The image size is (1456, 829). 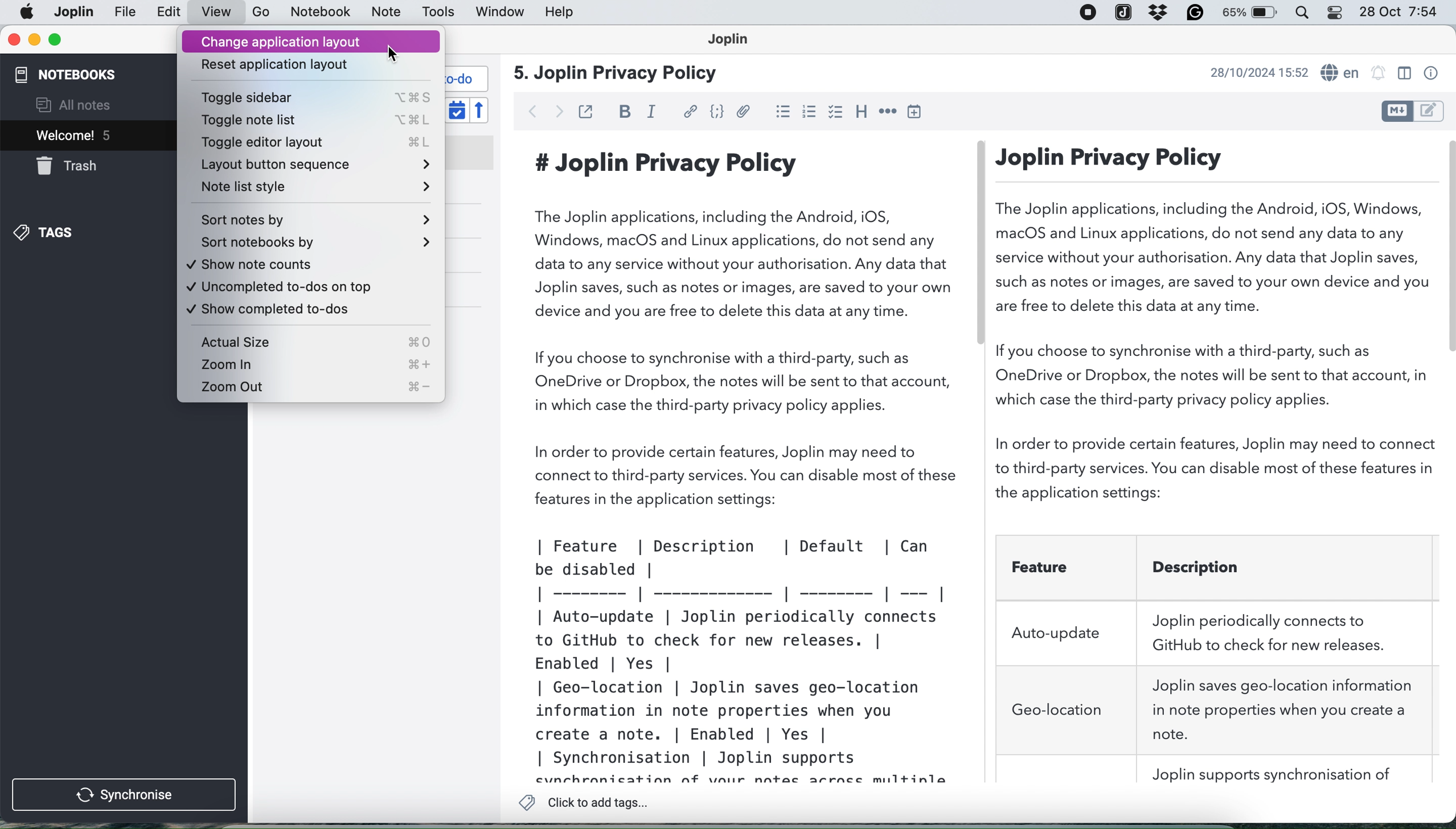 I want to click on control center, so click(x=1338, y=13).